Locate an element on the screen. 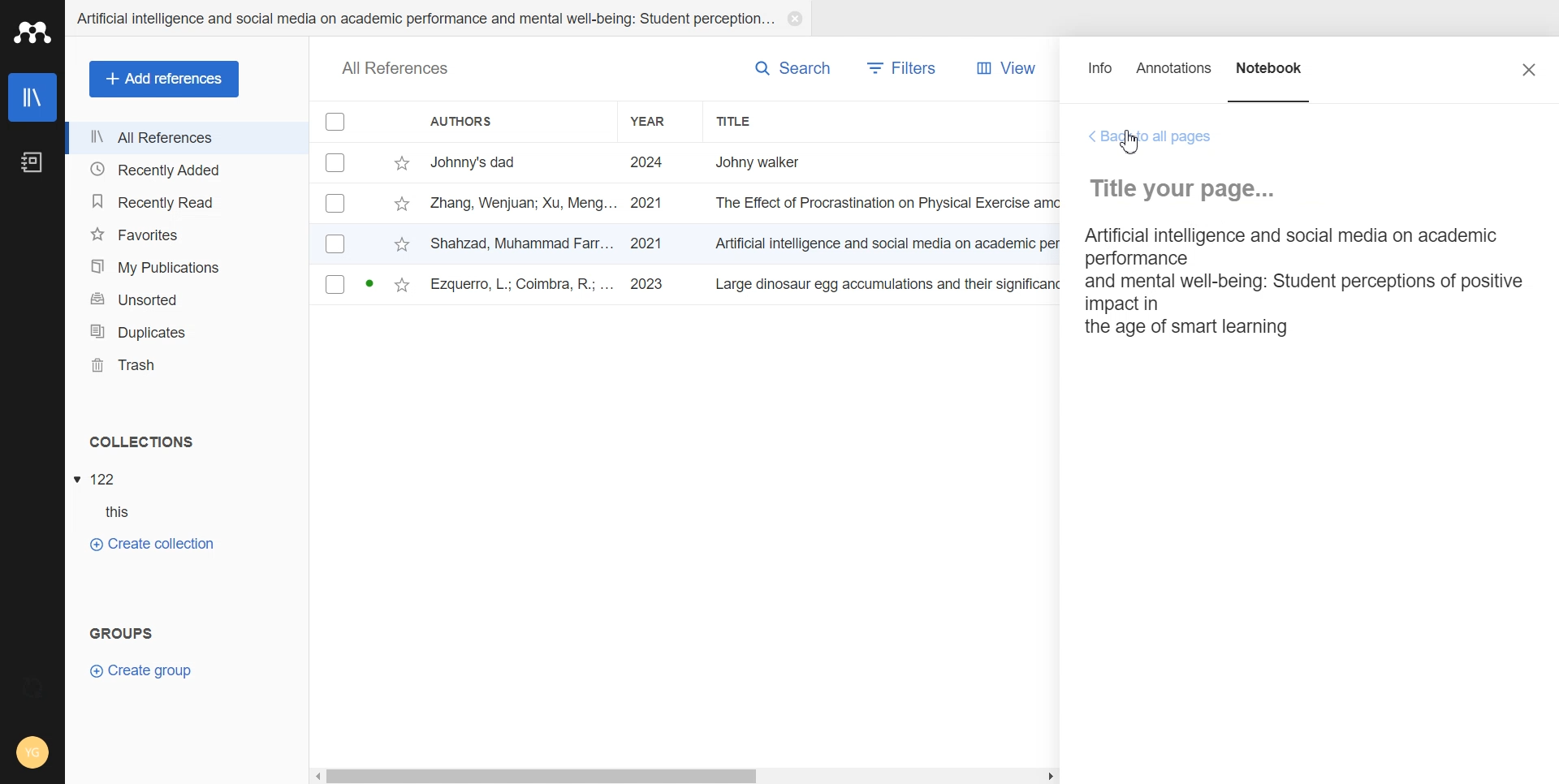 Image resolution: width=1559 pixels, height=784 pixels. 2021 is located at coordinates (646, 243).